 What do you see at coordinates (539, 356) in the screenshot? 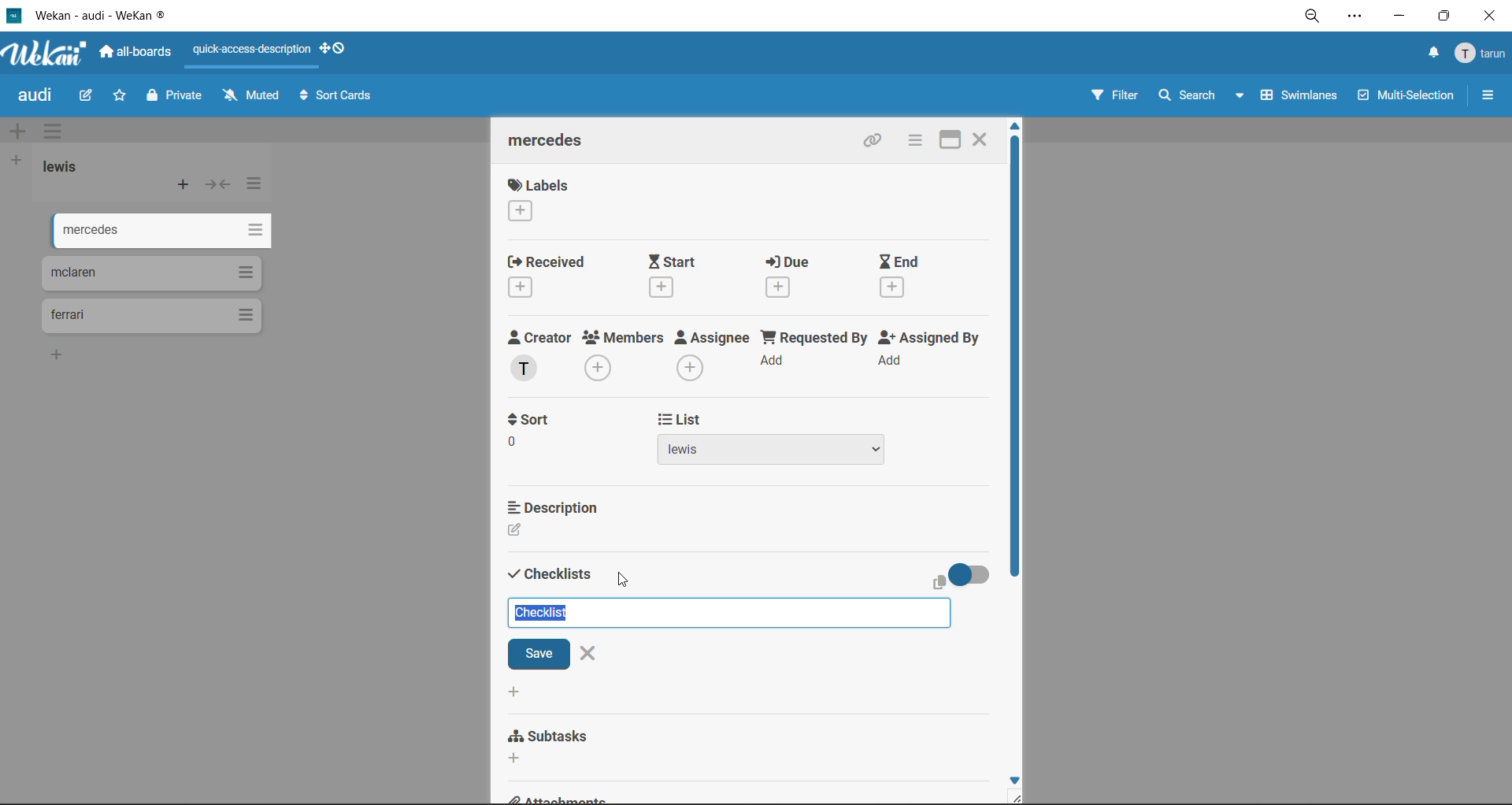
I see `creator` at bounding box center [539, 356].